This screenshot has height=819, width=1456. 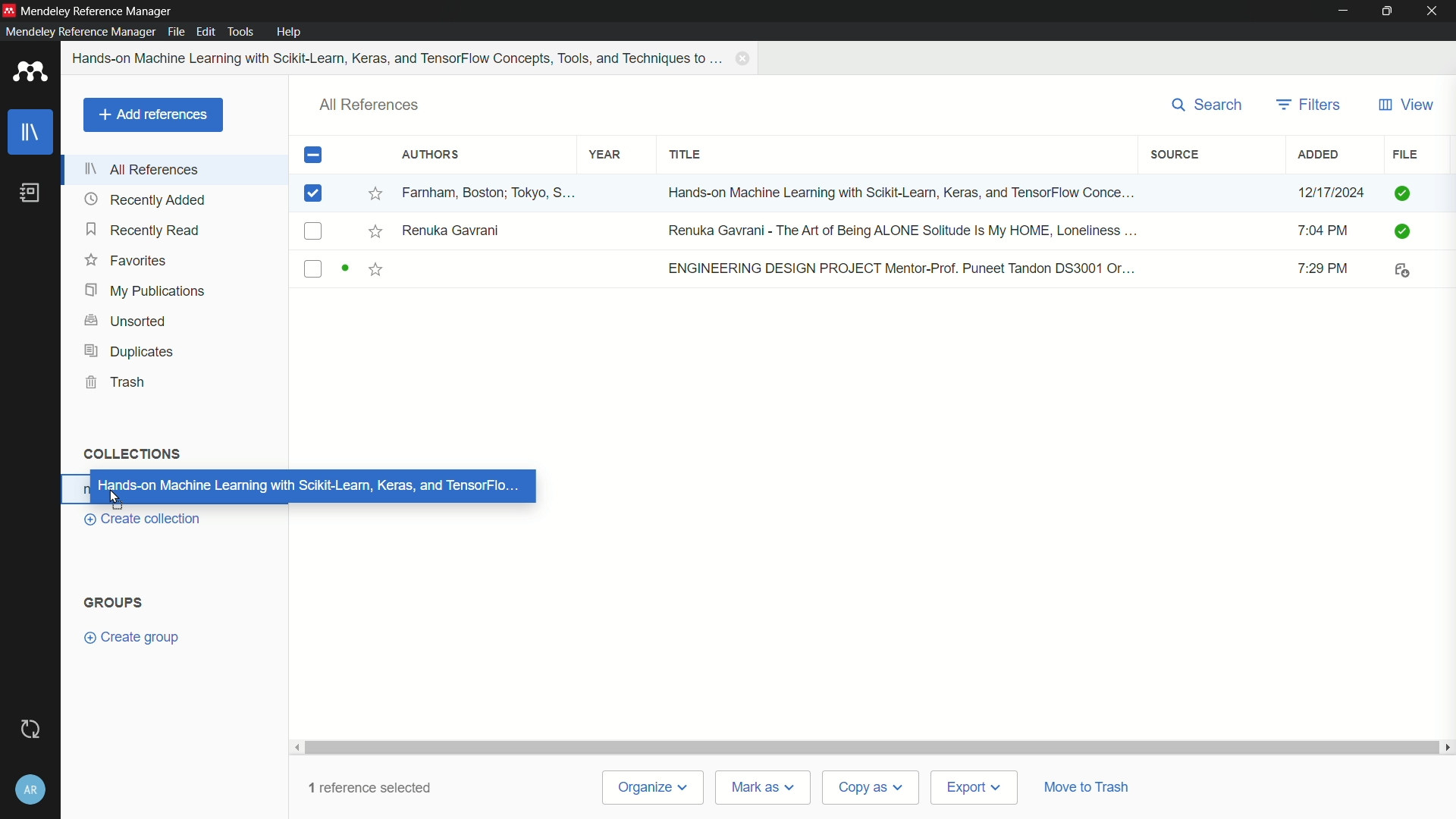 I want to click on book-1, so click(x=865, y=190).